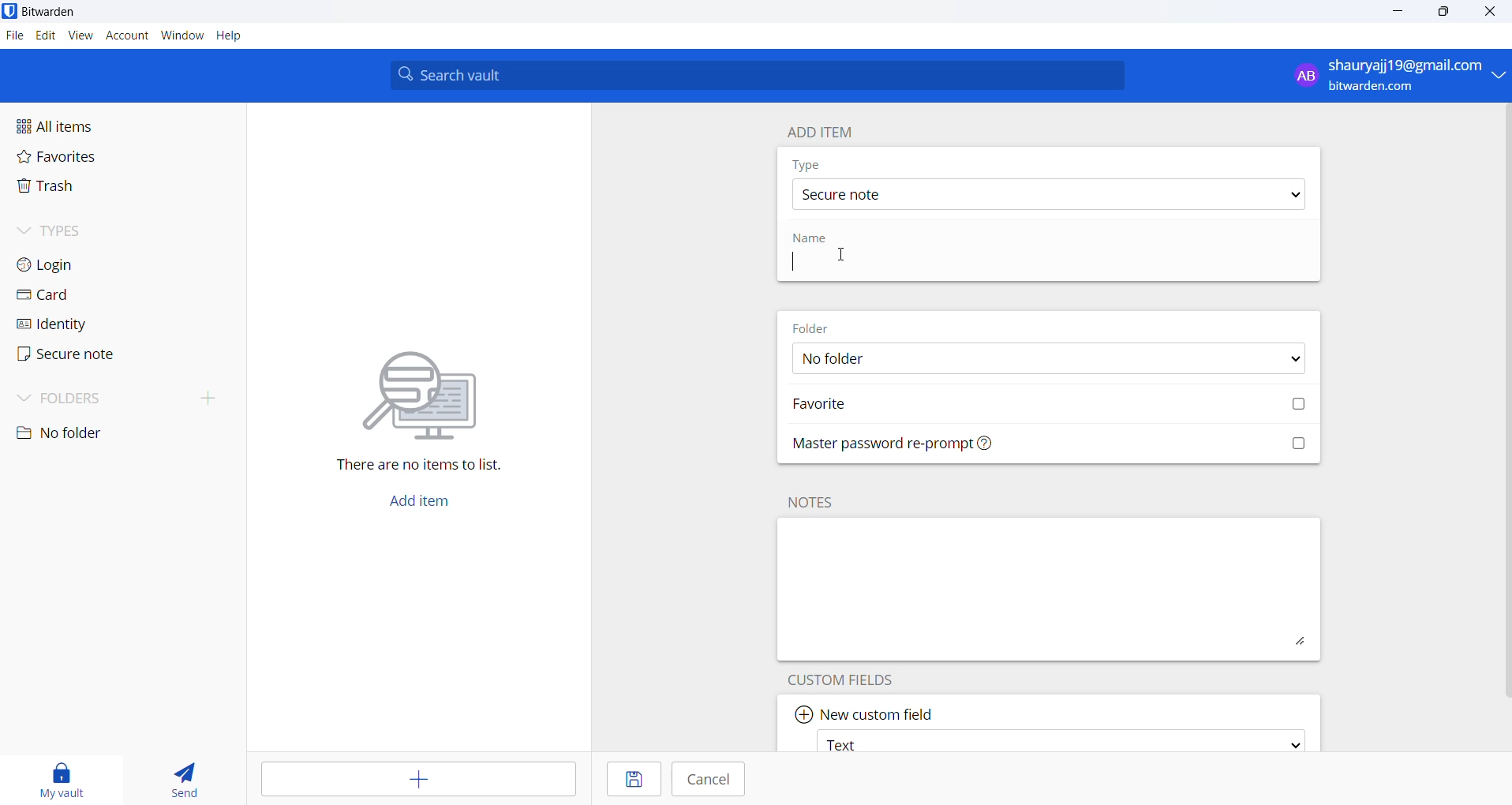 This screenshot has height=805, width=1512. What do you see at coordinates (1058, 740) in the screenshot?
I see `new field options` at bounding box center [1058, 740].